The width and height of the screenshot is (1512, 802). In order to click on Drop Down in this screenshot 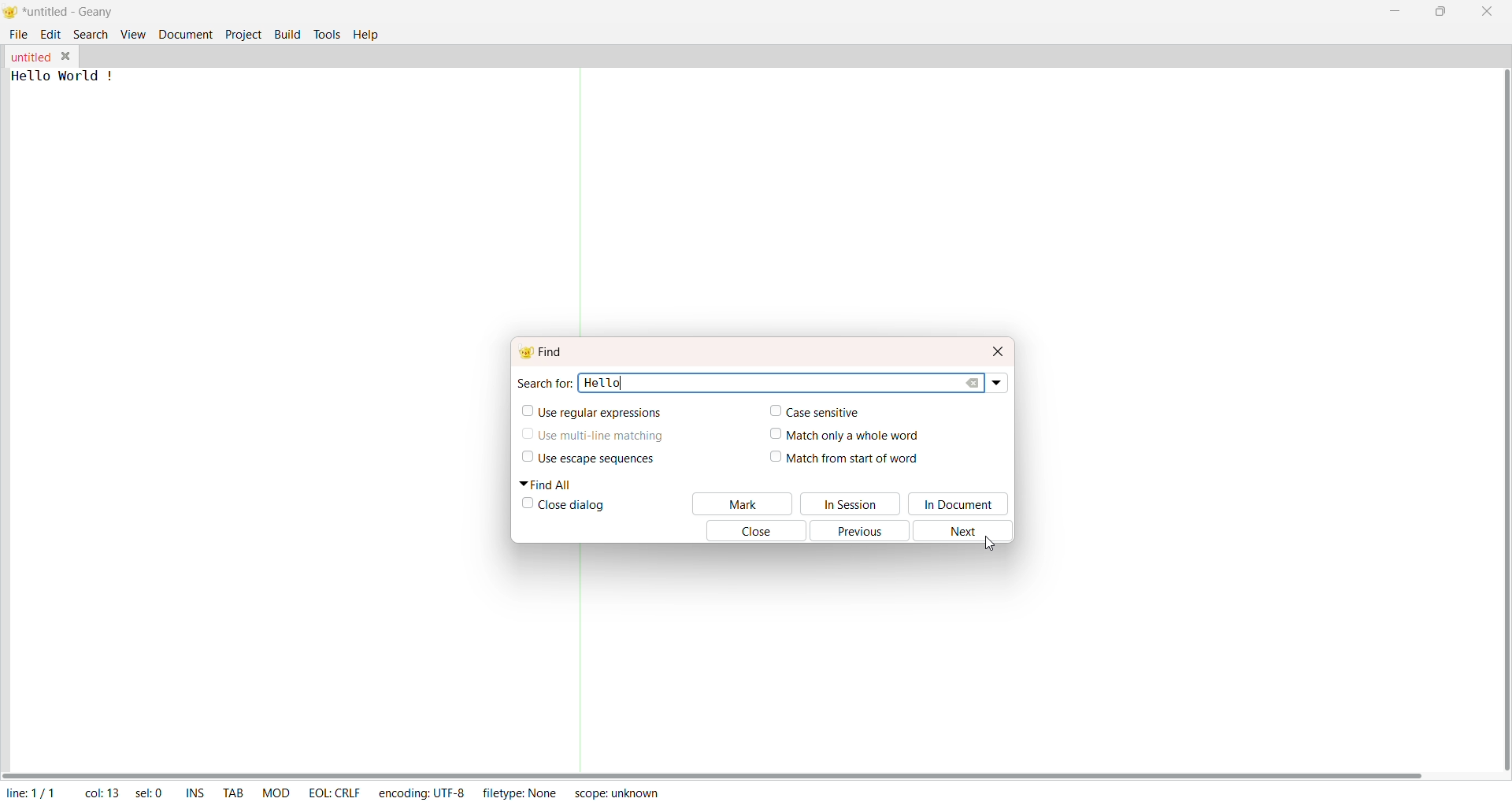, I will do `click(999, 383)`.